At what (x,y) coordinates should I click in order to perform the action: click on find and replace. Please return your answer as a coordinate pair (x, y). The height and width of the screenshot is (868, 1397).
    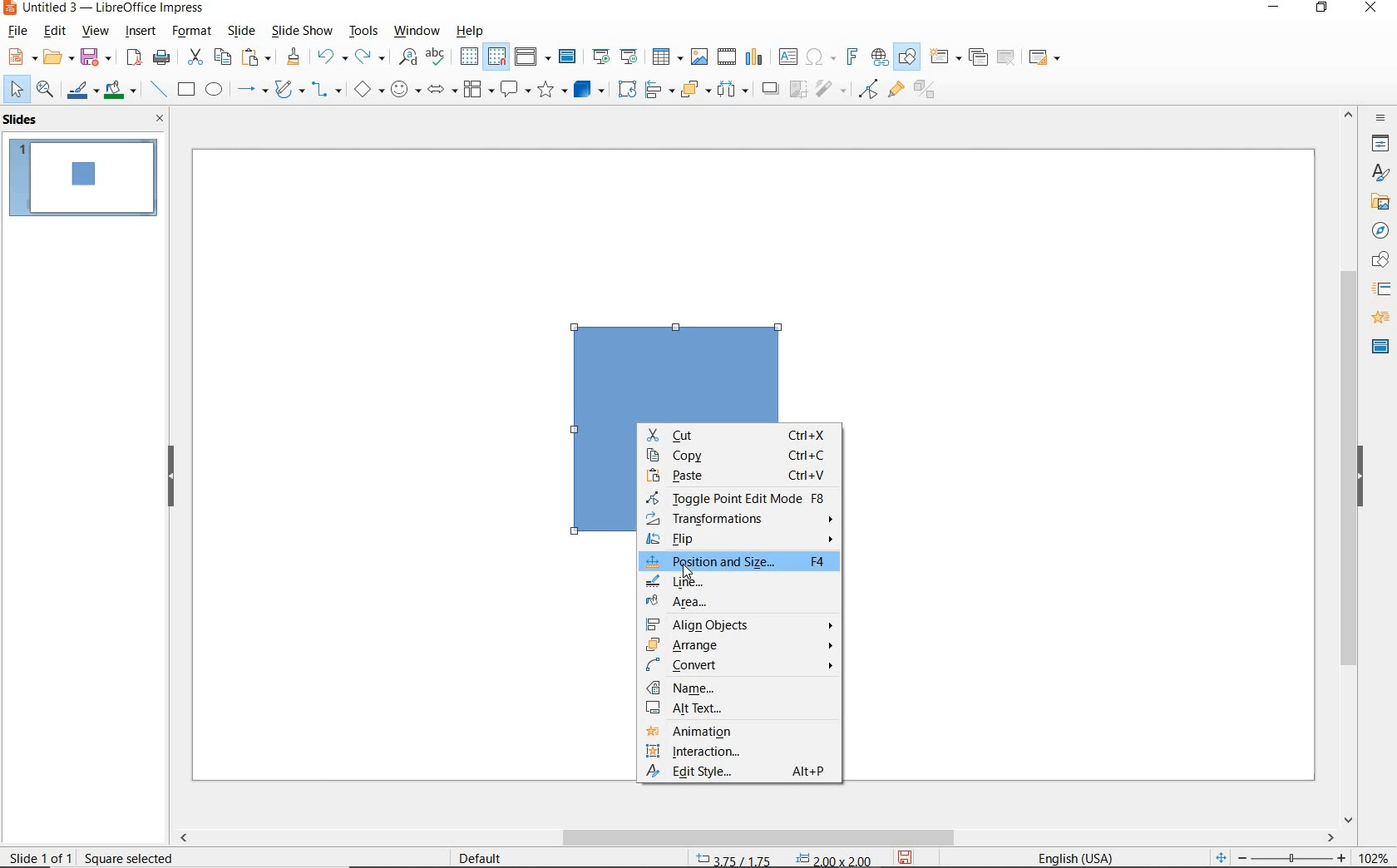
    Looking at the image, I should click on (405, 60).